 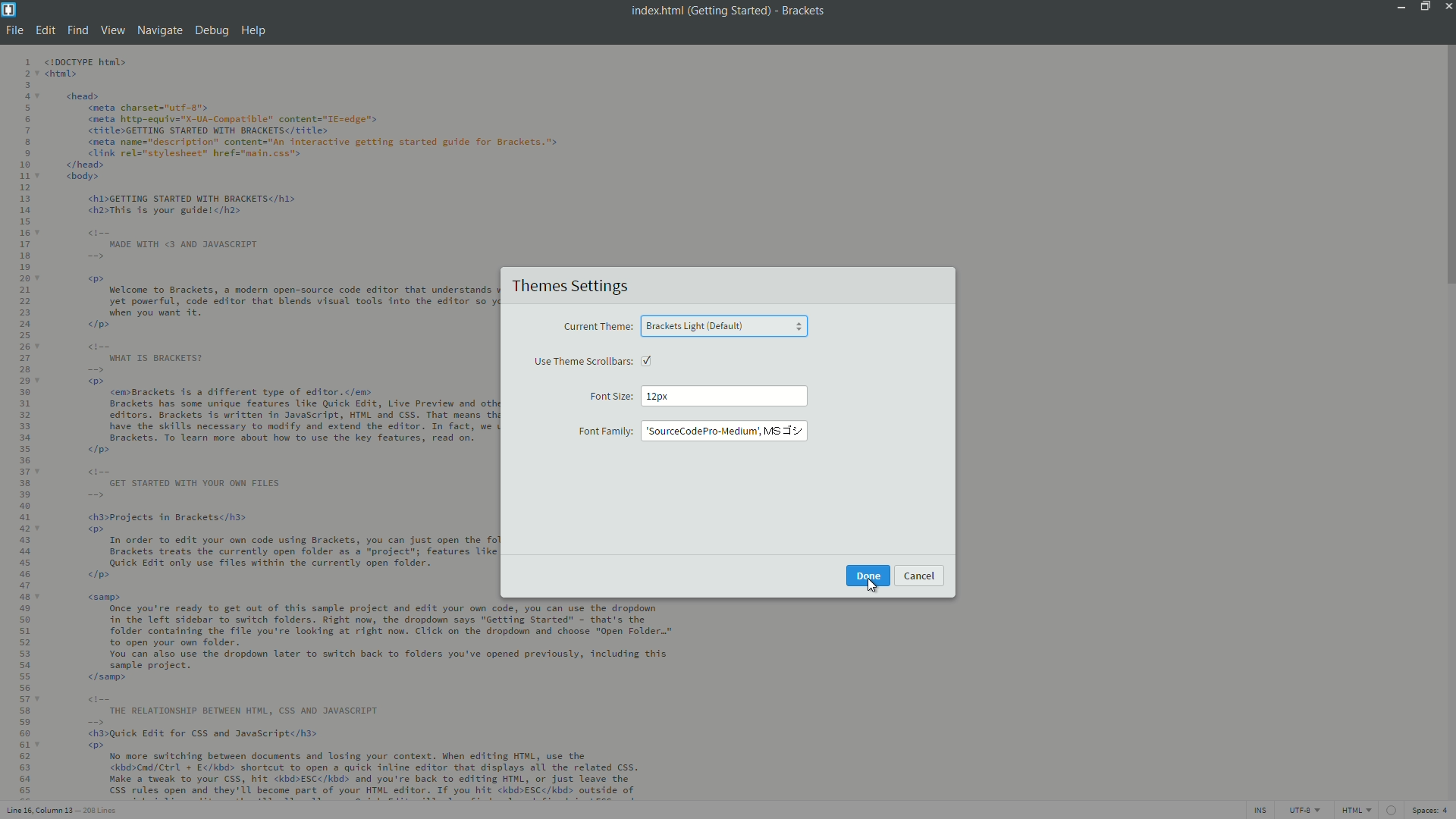 I want to click on file encoding, so click(x=1304, y=811).